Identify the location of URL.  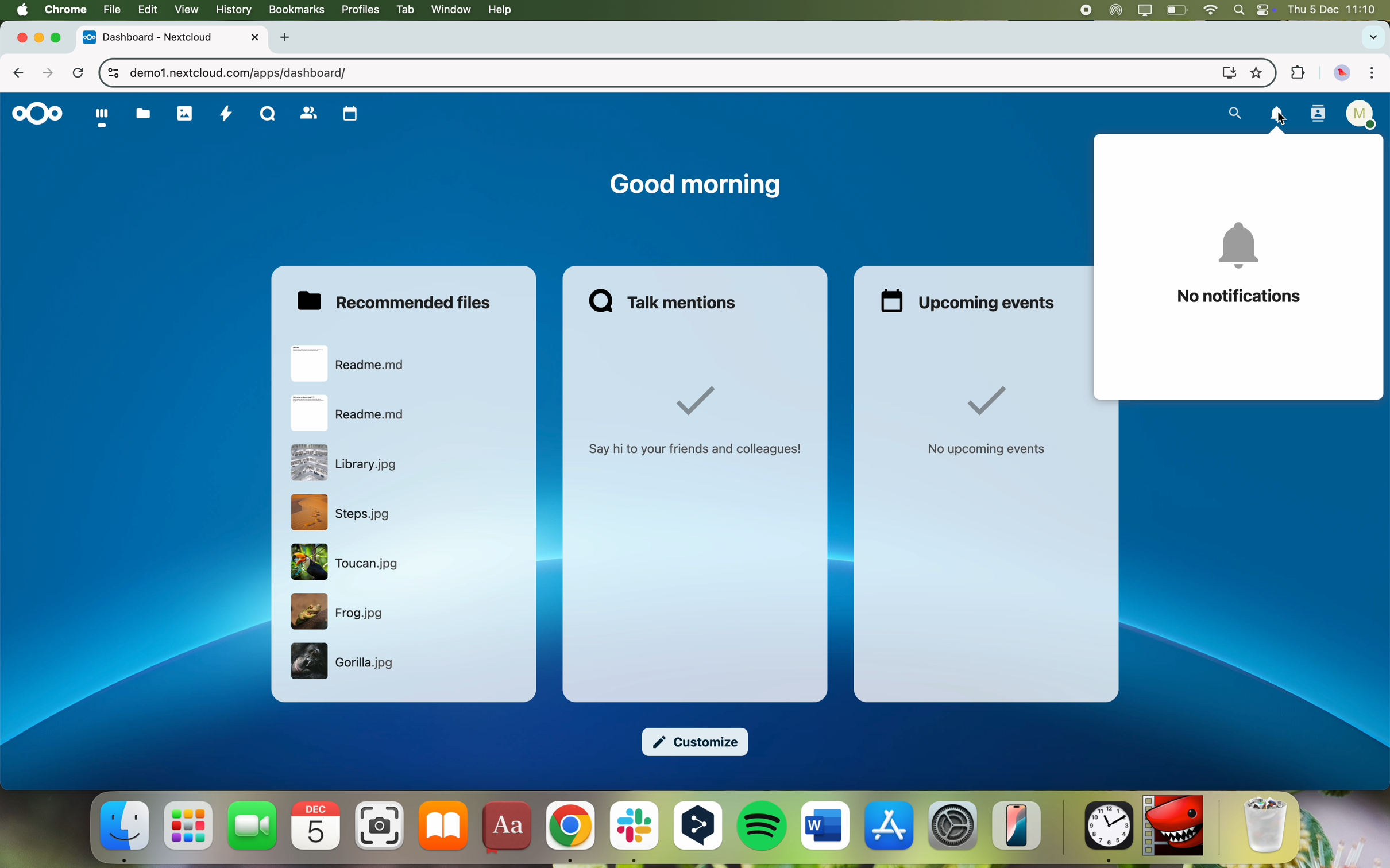
(240, 72).